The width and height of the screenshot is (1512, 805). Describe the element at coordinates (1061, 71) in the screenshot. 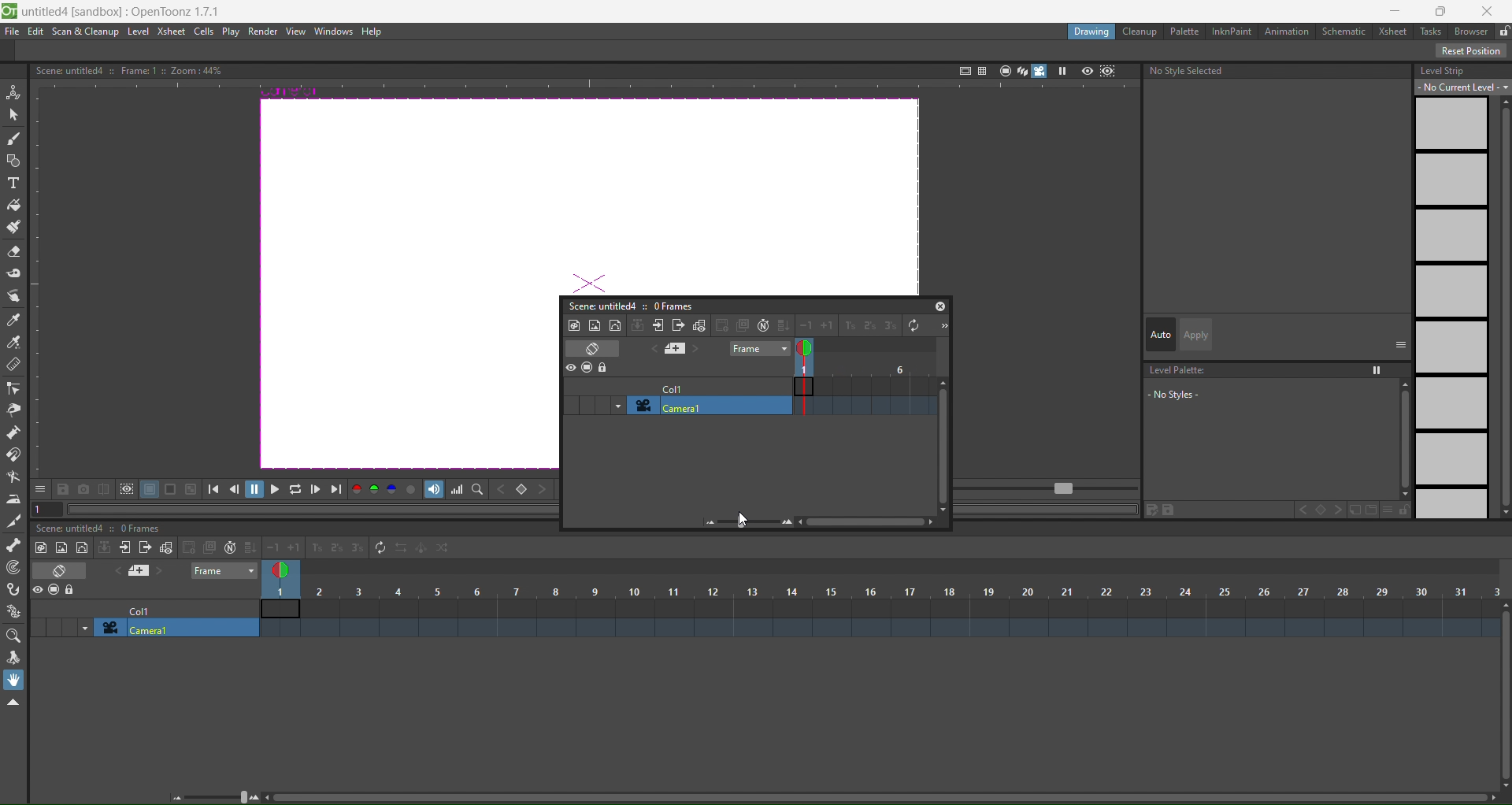

I see `freeze` at that location.